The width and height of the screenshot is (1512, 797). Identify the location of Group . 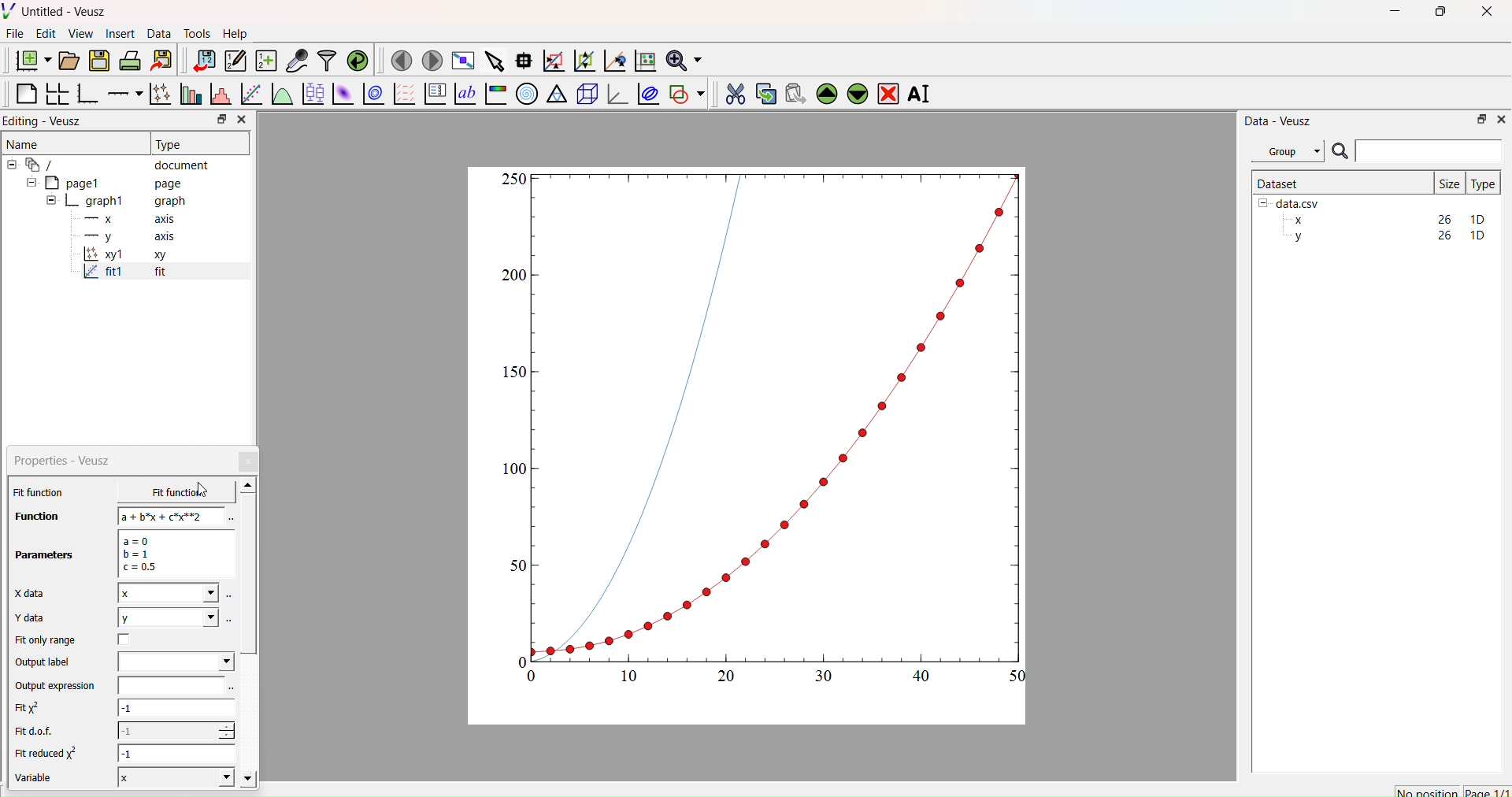
(1287, 151).